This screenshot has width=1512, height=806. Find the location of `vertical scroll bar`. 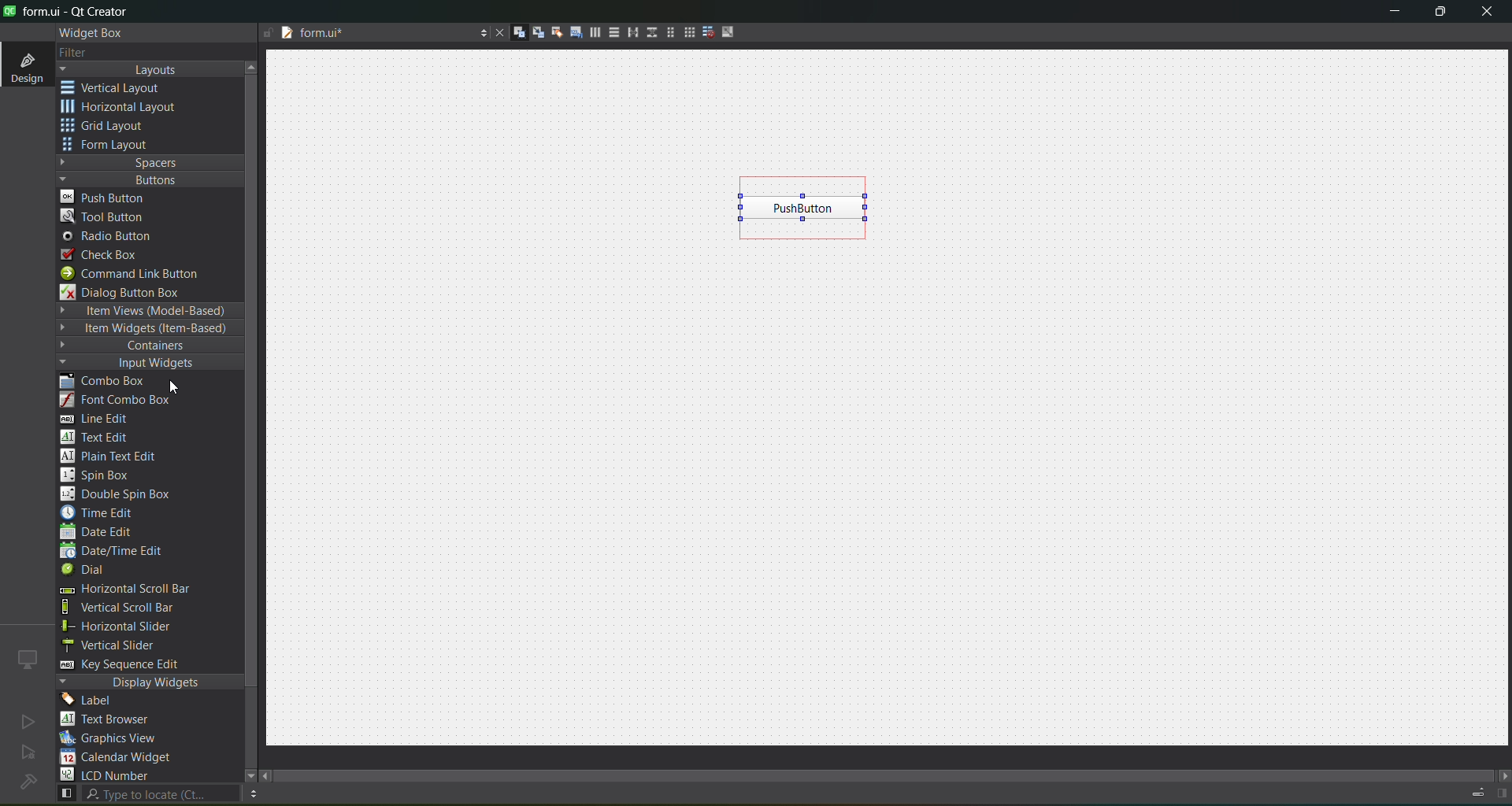

vertical scroll bar is located at coordinates (135, 608).